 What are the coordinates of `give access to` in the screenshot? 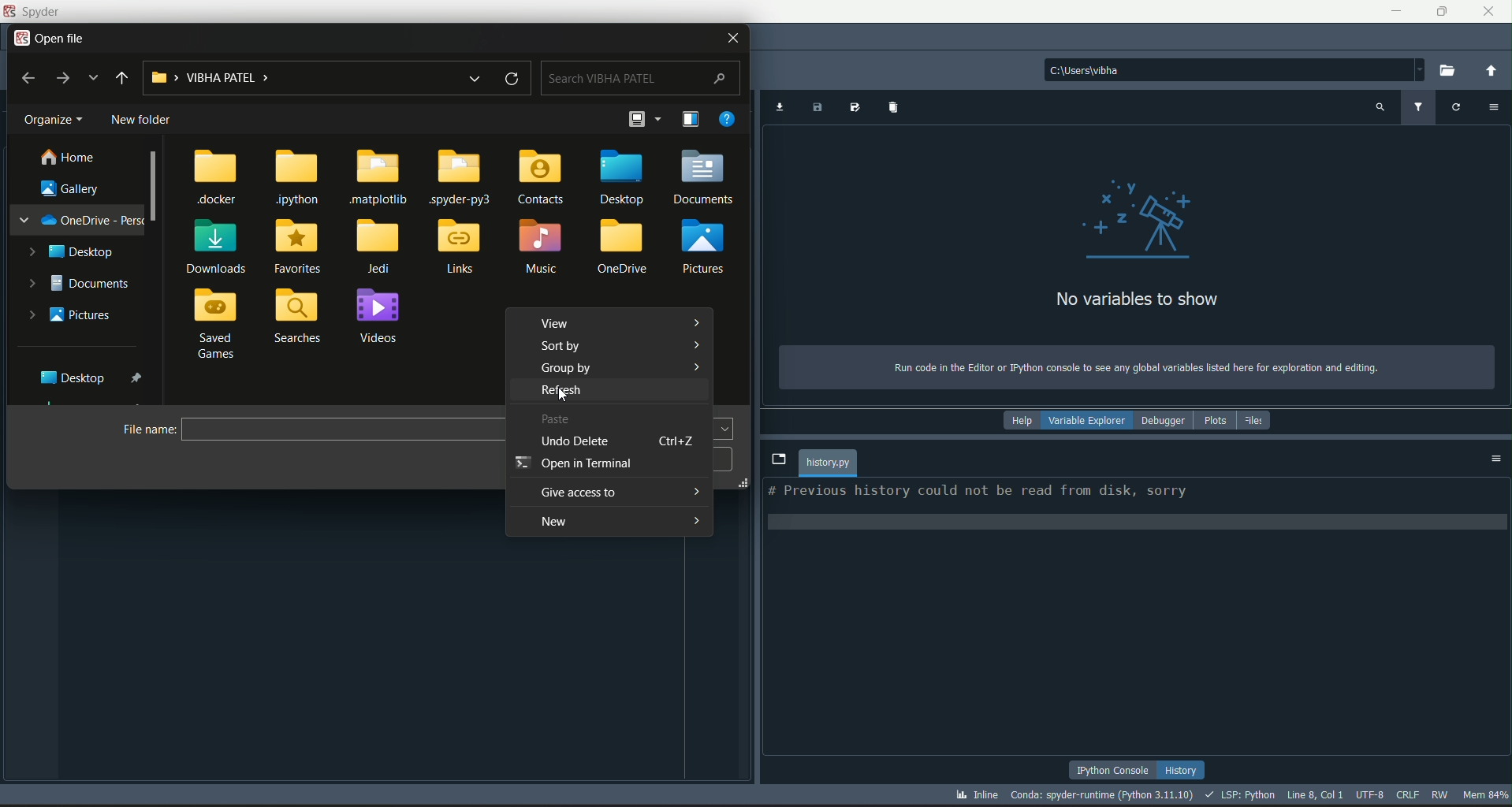 It's located at (578, 493).